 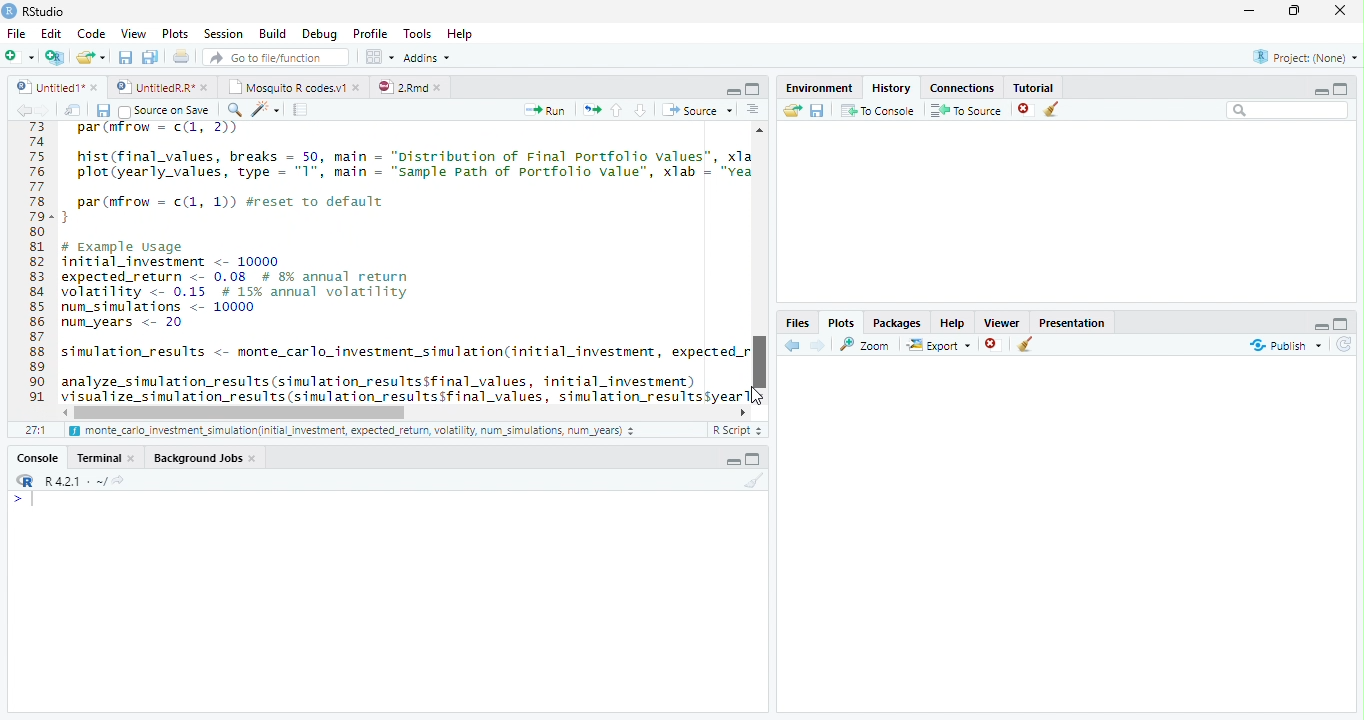 What do you see at coordinates (756, 458) in the screenshot?
I see `Full Height` at bounding box center [756, 458].